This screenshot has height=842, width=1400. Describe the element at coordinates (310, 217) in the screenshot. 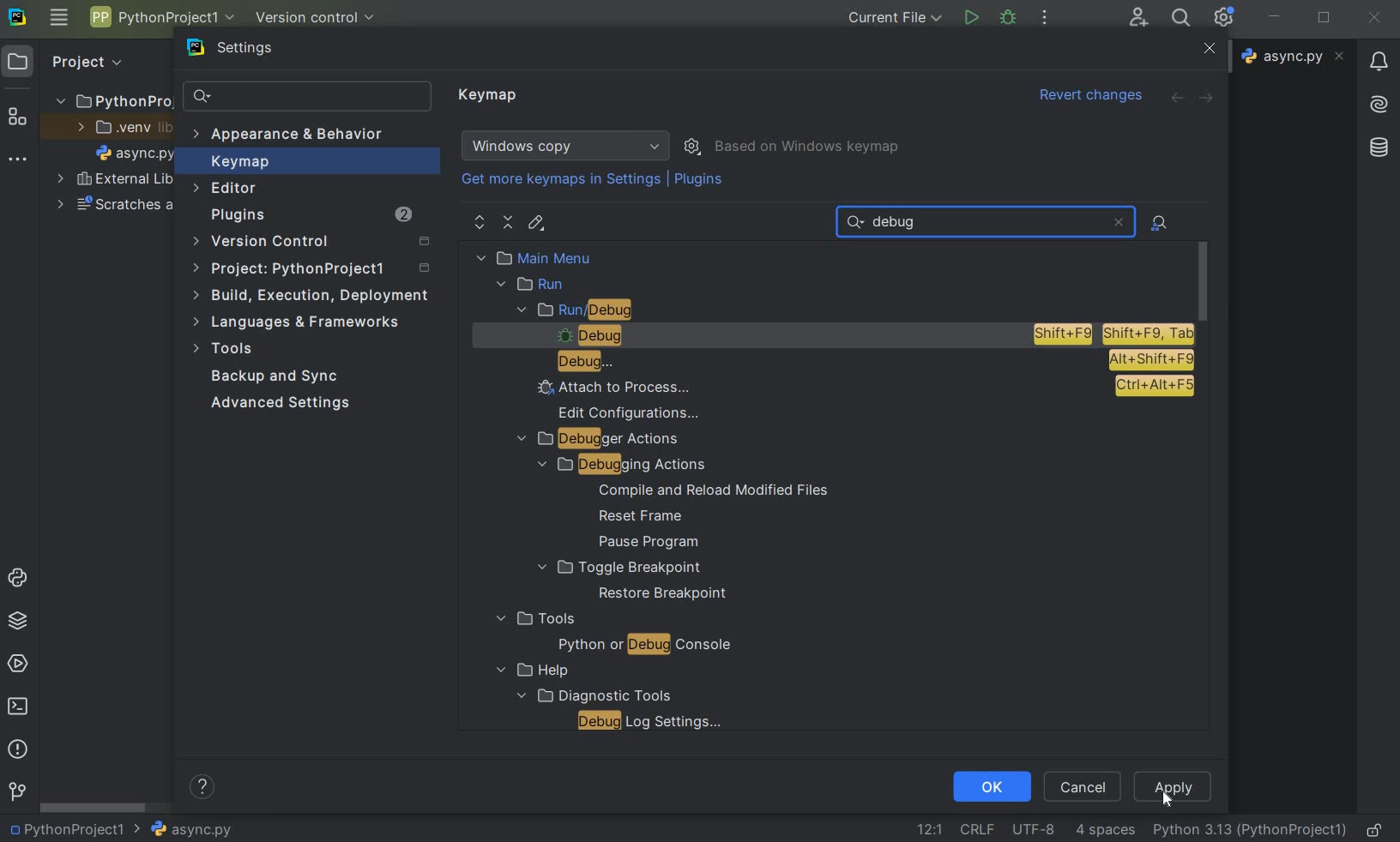

I see `plugins` at that location.